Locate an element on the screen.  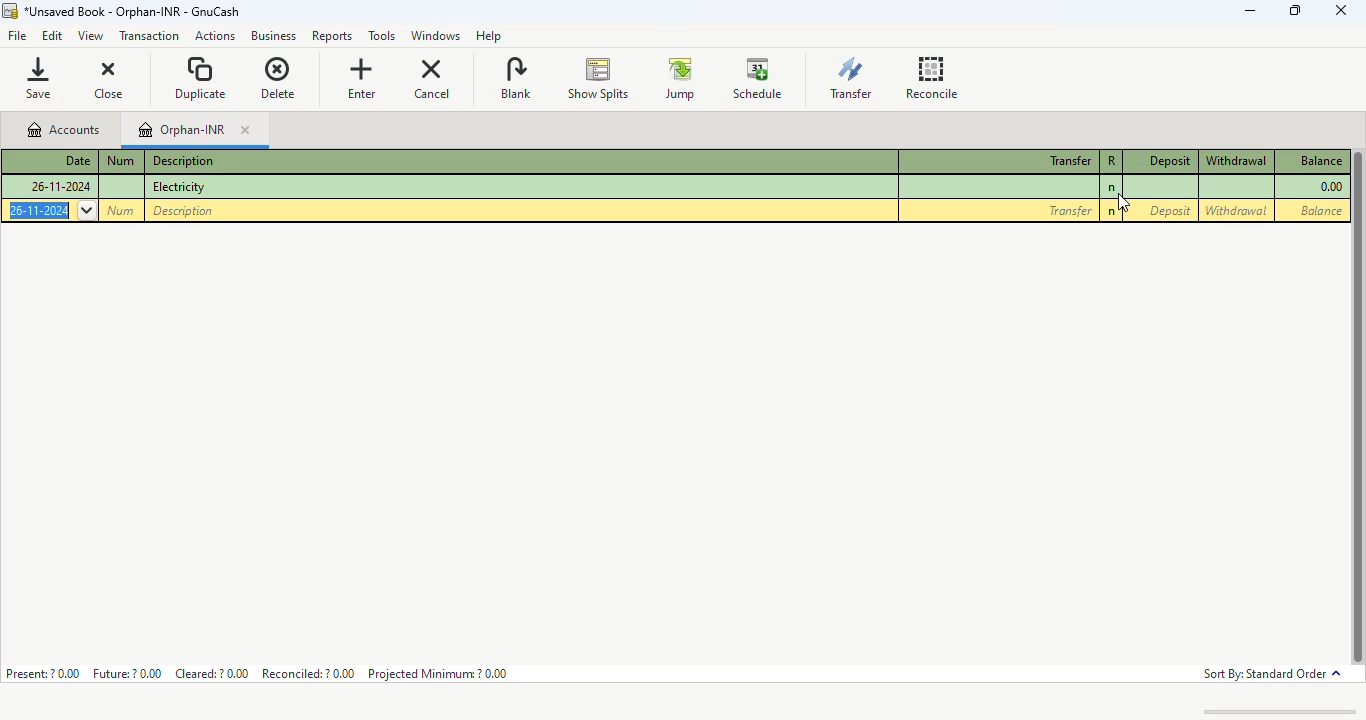
future: ? 0.00 is located at coordinates (128, 673).